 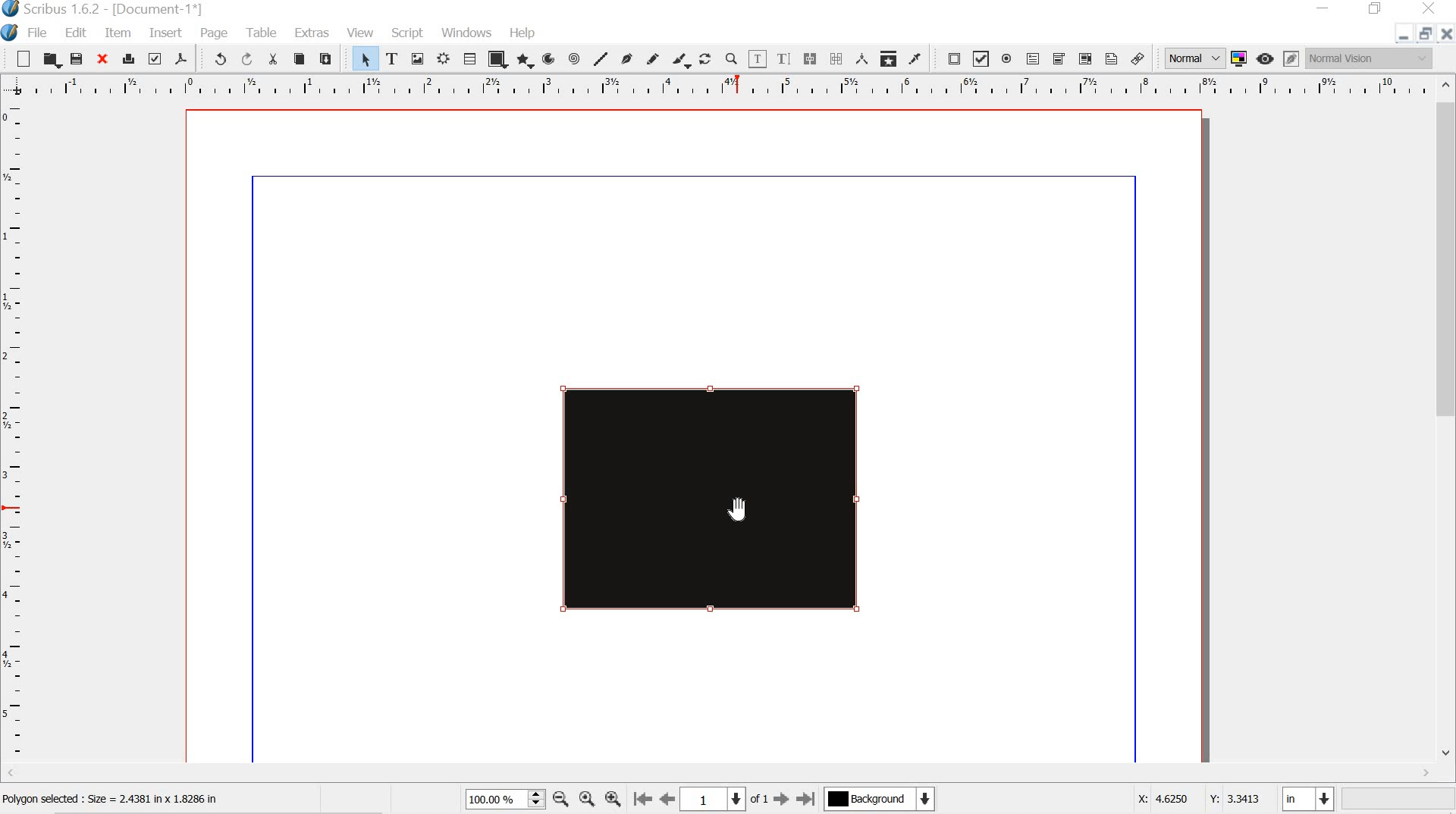 I want to click on table, so click(x=469, y=58).